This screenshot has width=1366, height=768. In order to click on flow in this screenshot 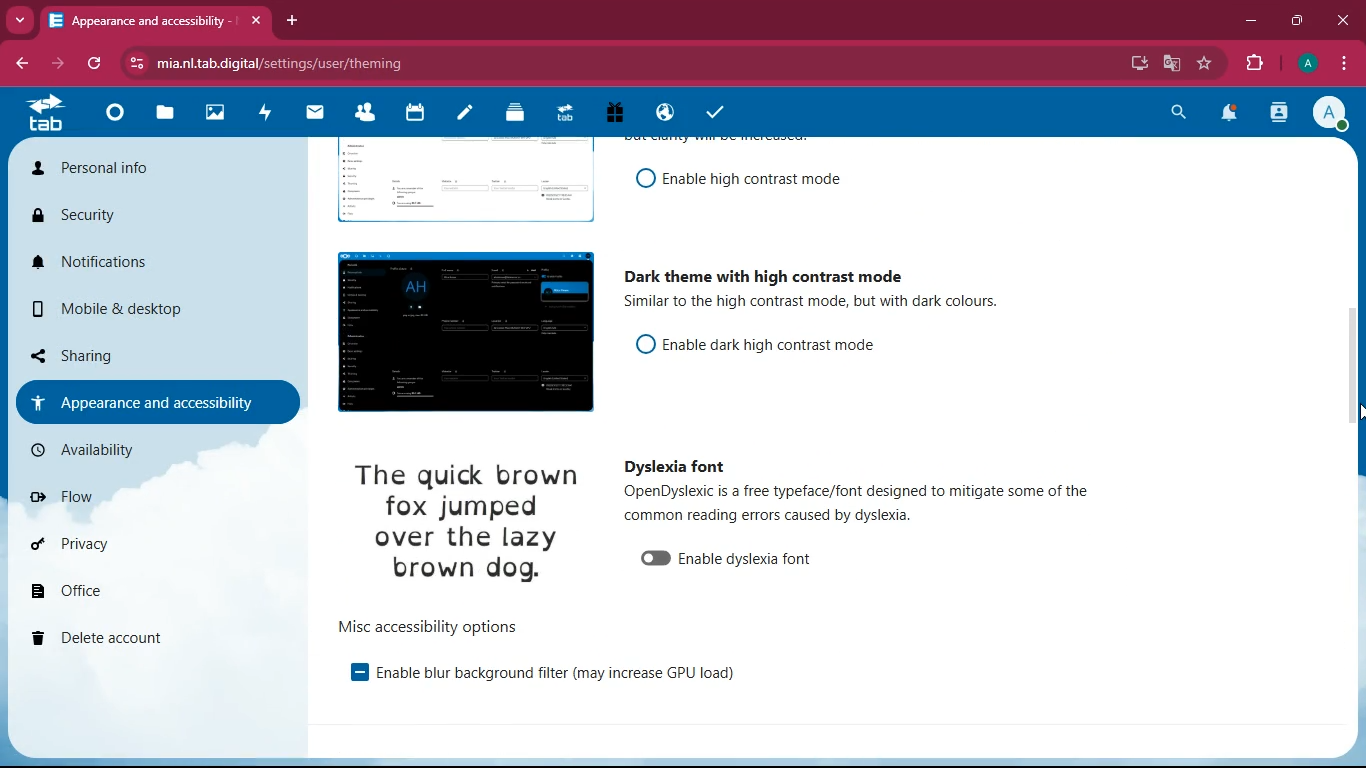, I will do `click(110, 495)`.